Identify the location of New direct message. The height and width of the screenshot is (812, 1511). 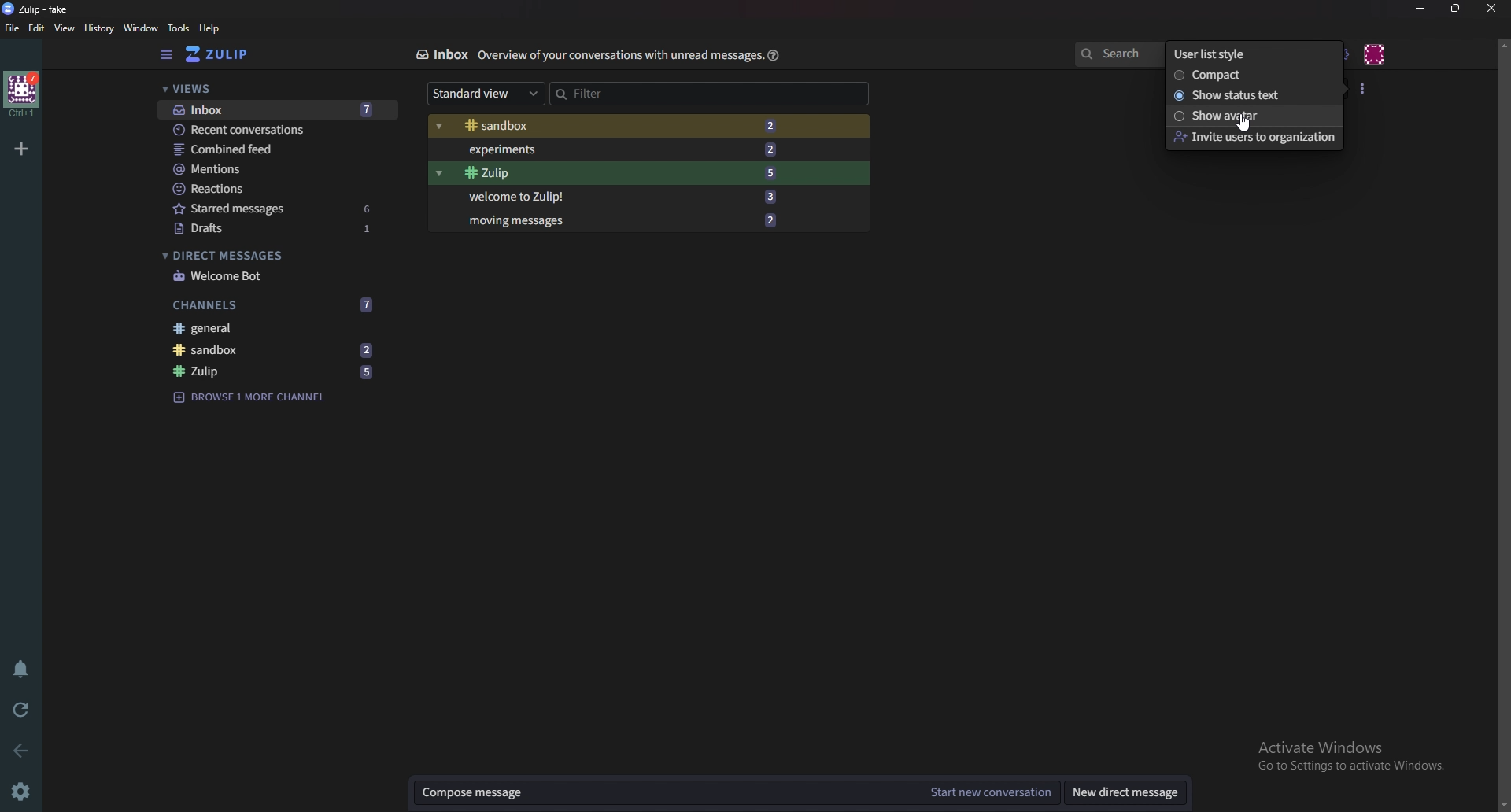
(1125, 793).